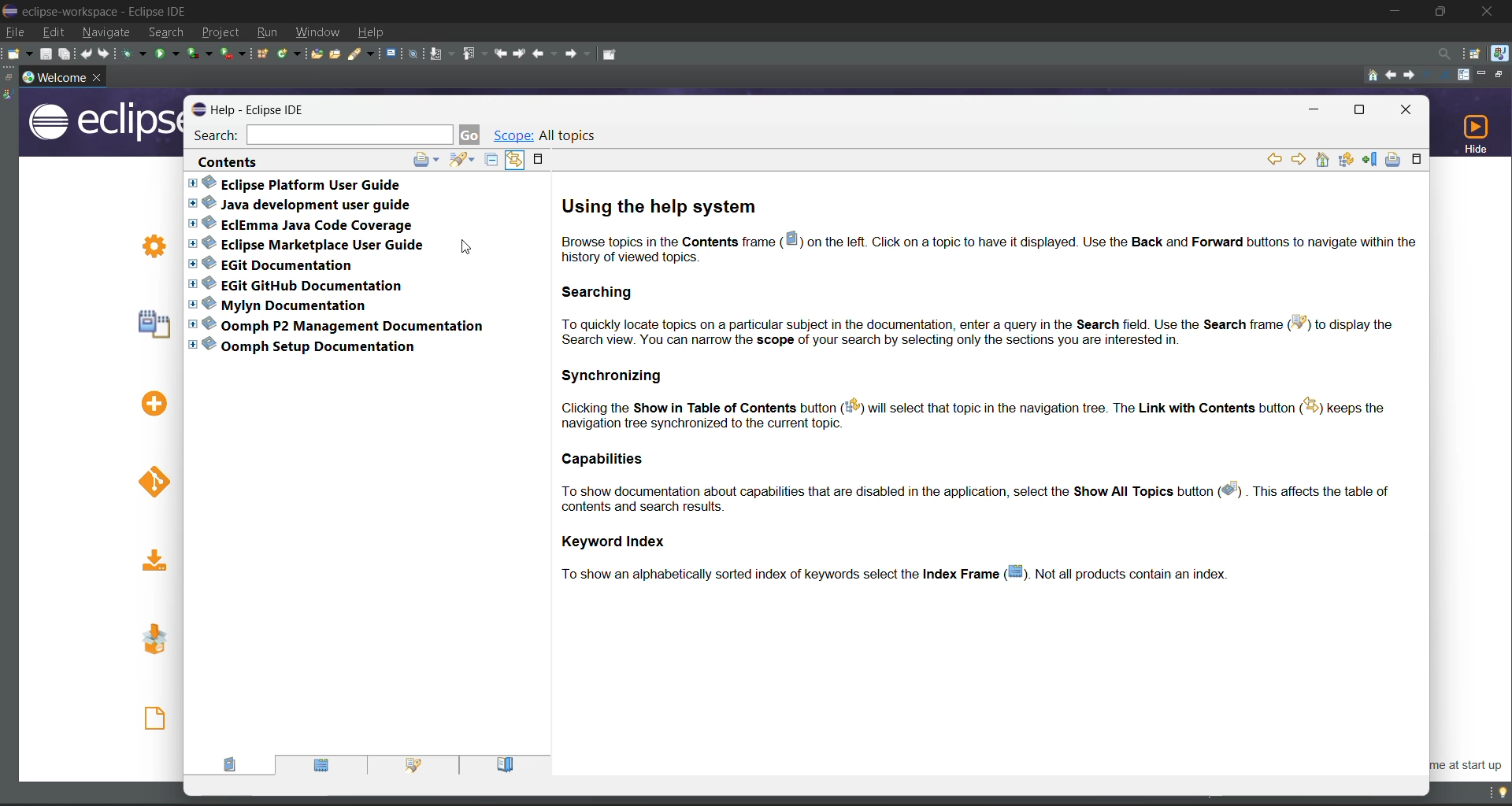 The height and width of the screenshot is (806, 1512). I want to click on Mylyn documentation, so click(278, 305).